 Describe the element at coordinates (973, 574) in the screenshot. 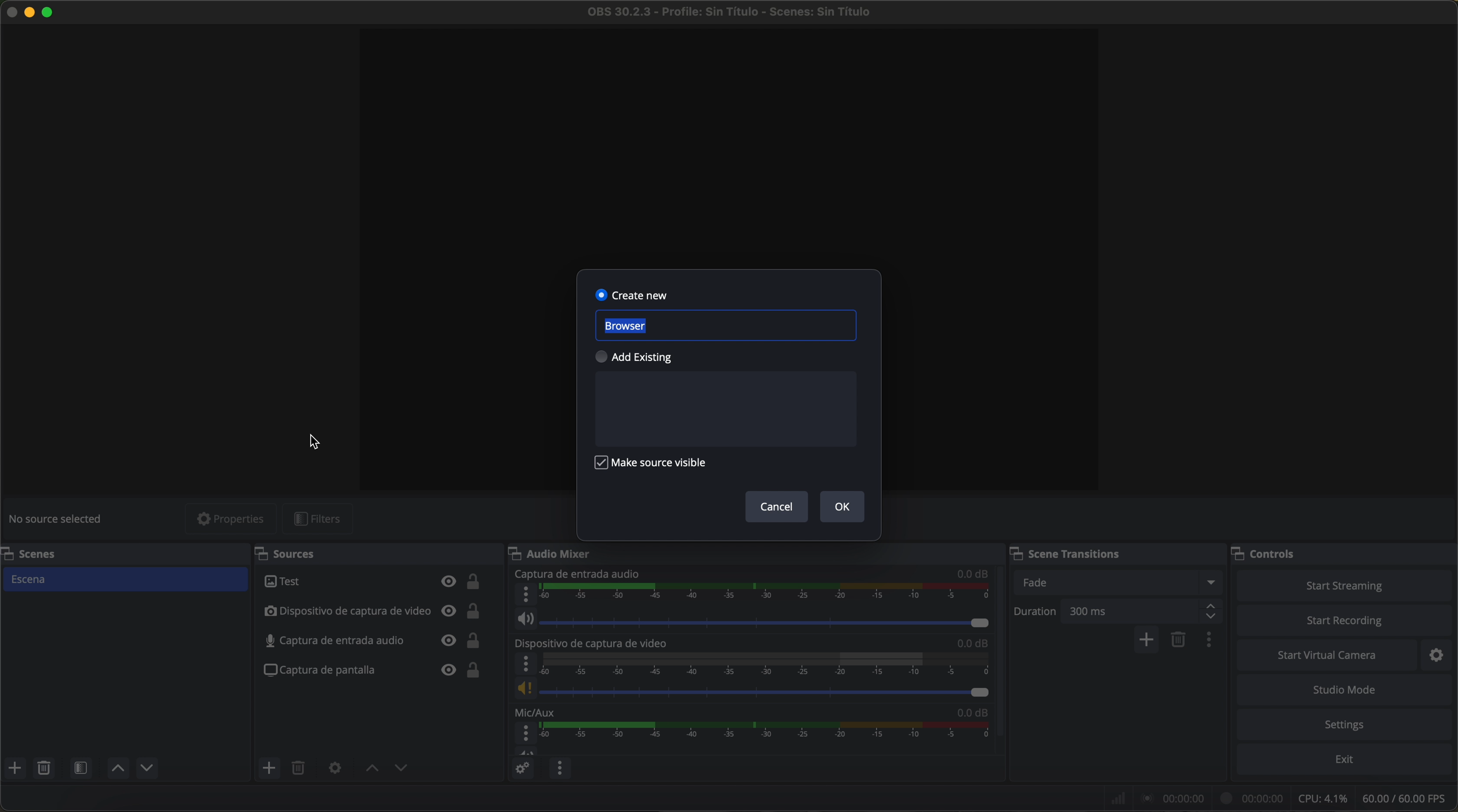

I see `0.0 dB` at that location.